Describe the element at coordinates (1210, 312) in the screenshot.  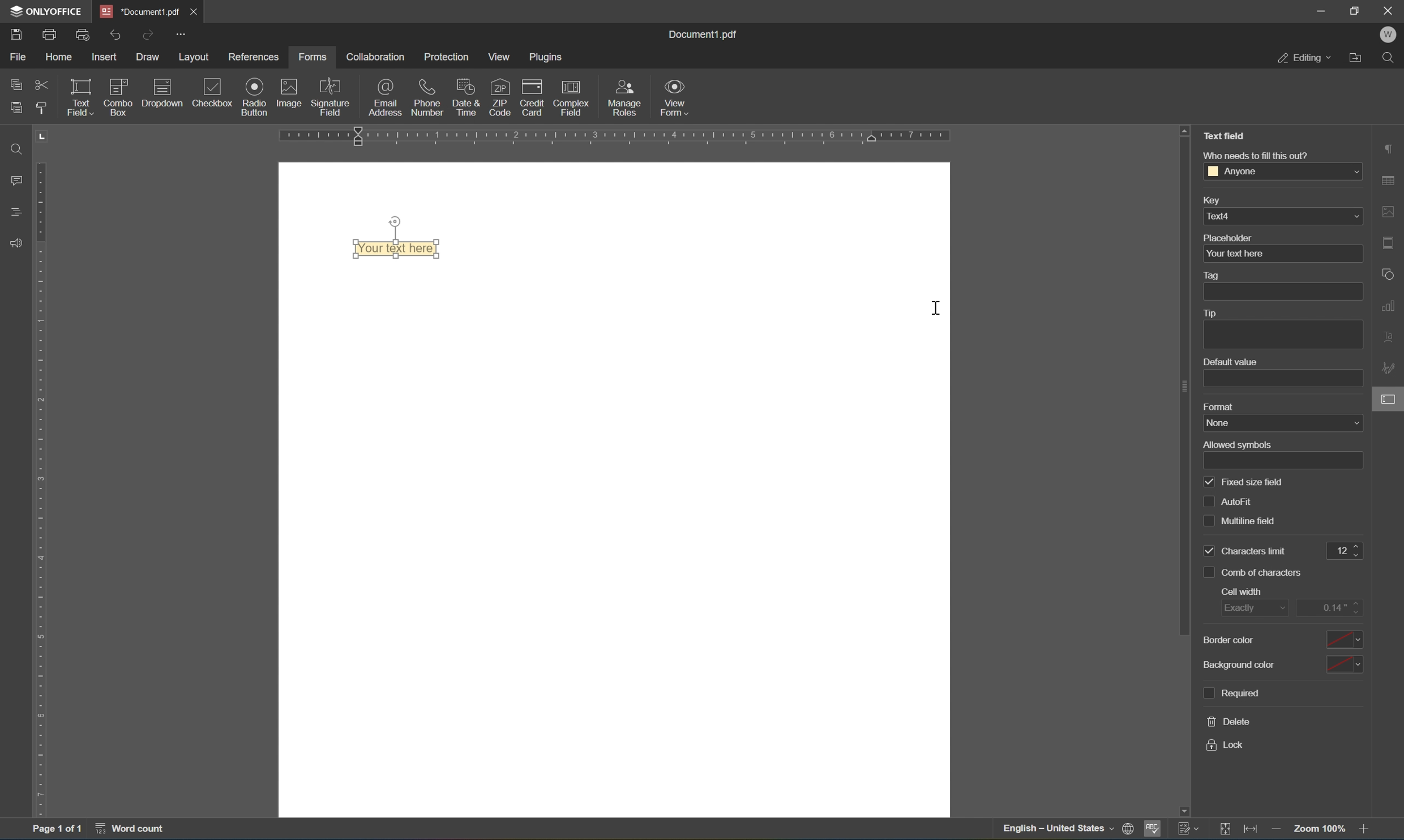
I see `tip` at that location.